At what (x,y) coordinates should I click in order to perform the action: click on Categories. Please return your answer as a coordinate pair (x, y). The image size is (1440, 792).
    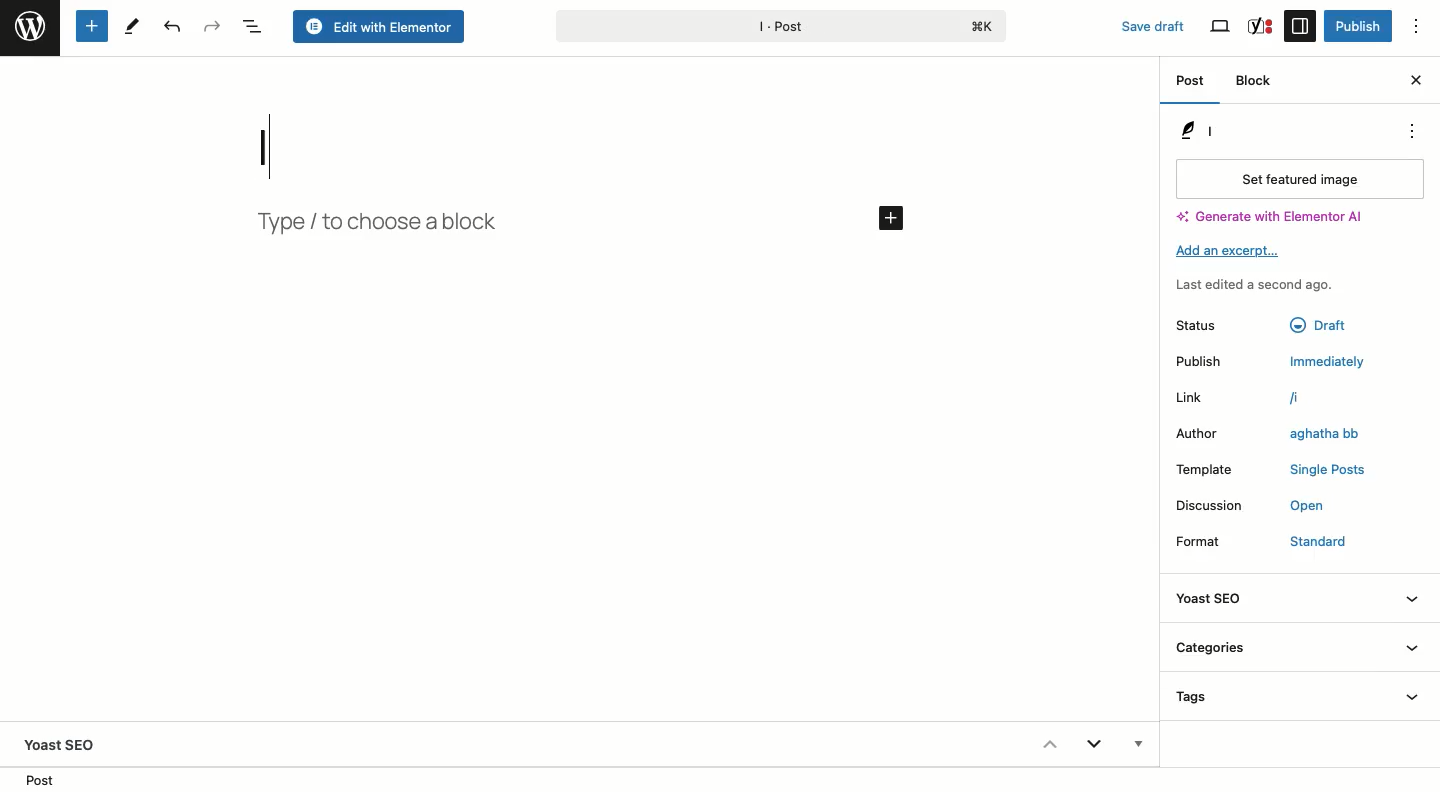
    Looking at the image, I should click on (1299, 650).